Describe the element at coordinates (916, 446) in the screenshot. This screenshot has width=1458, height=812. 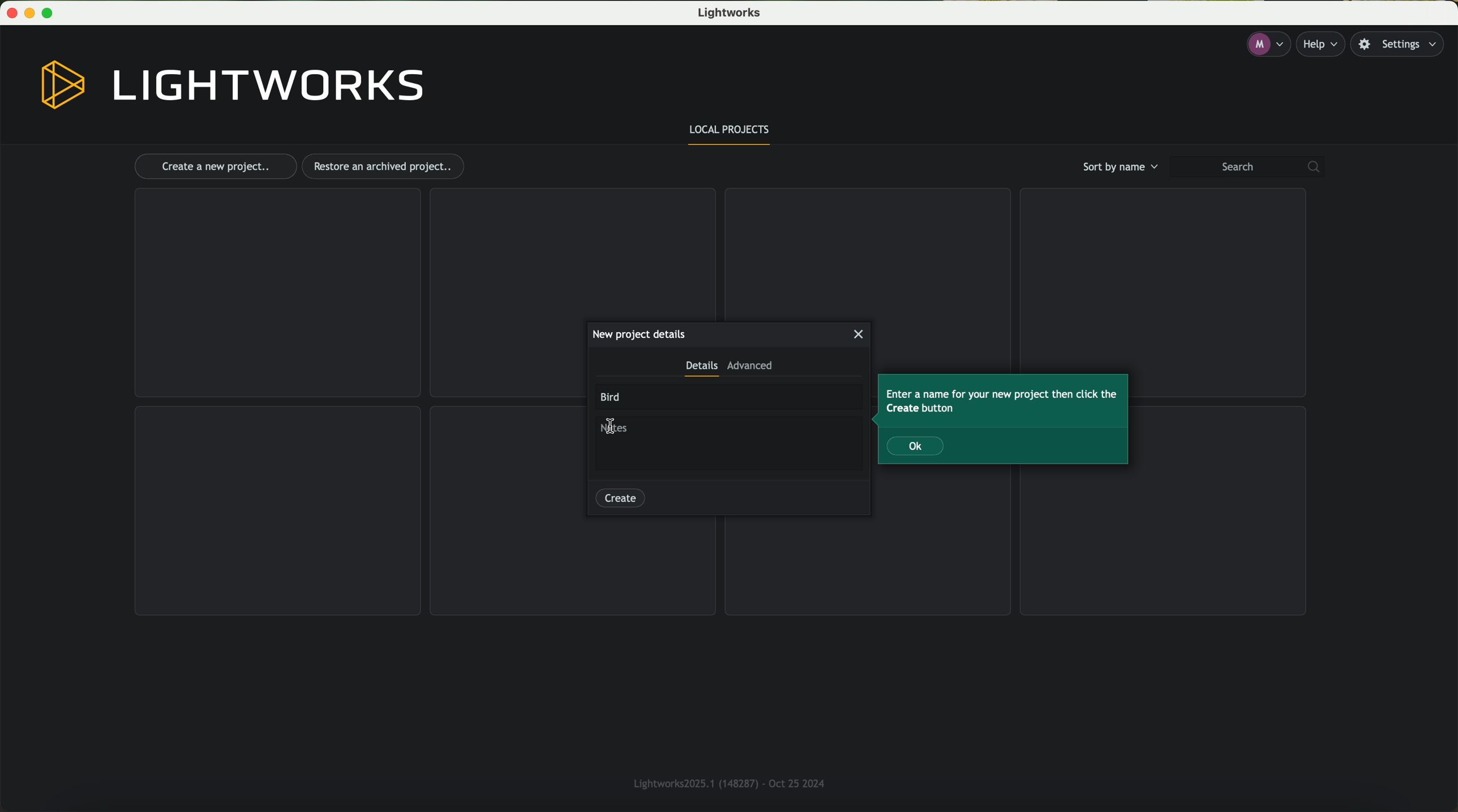
I see `OK button` at that location.